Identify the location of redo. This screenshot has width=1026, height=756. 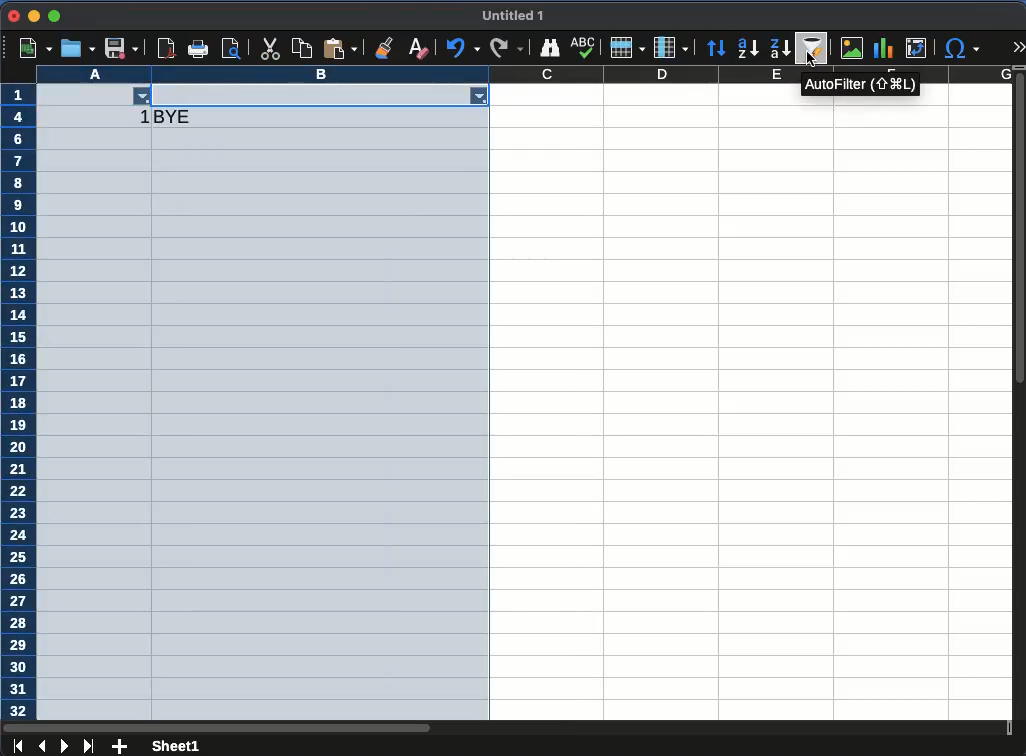
(505, 48).